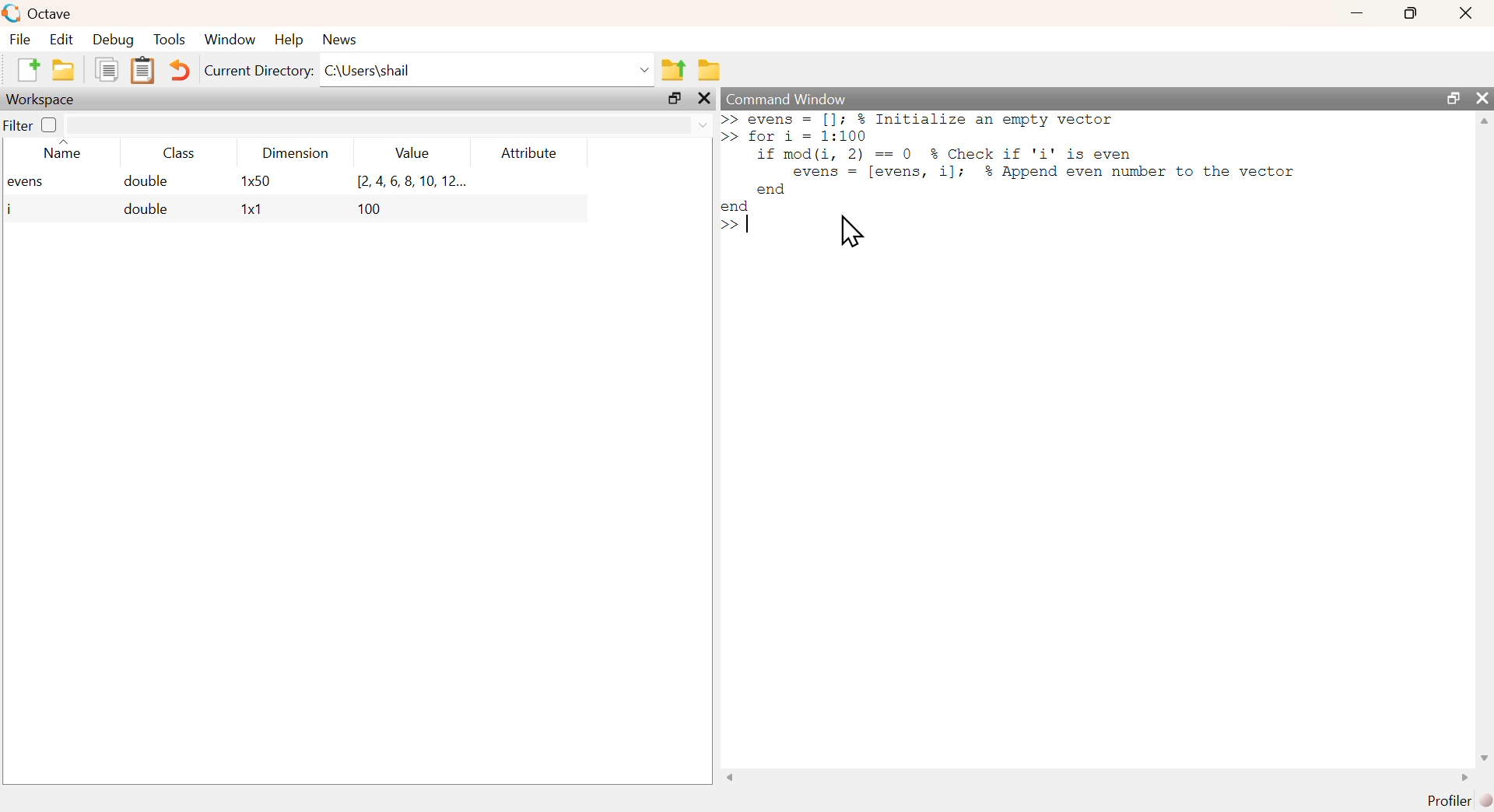  Describe the element at coordinates (852, 232) in the screenshot. I see `cursor` at that location.